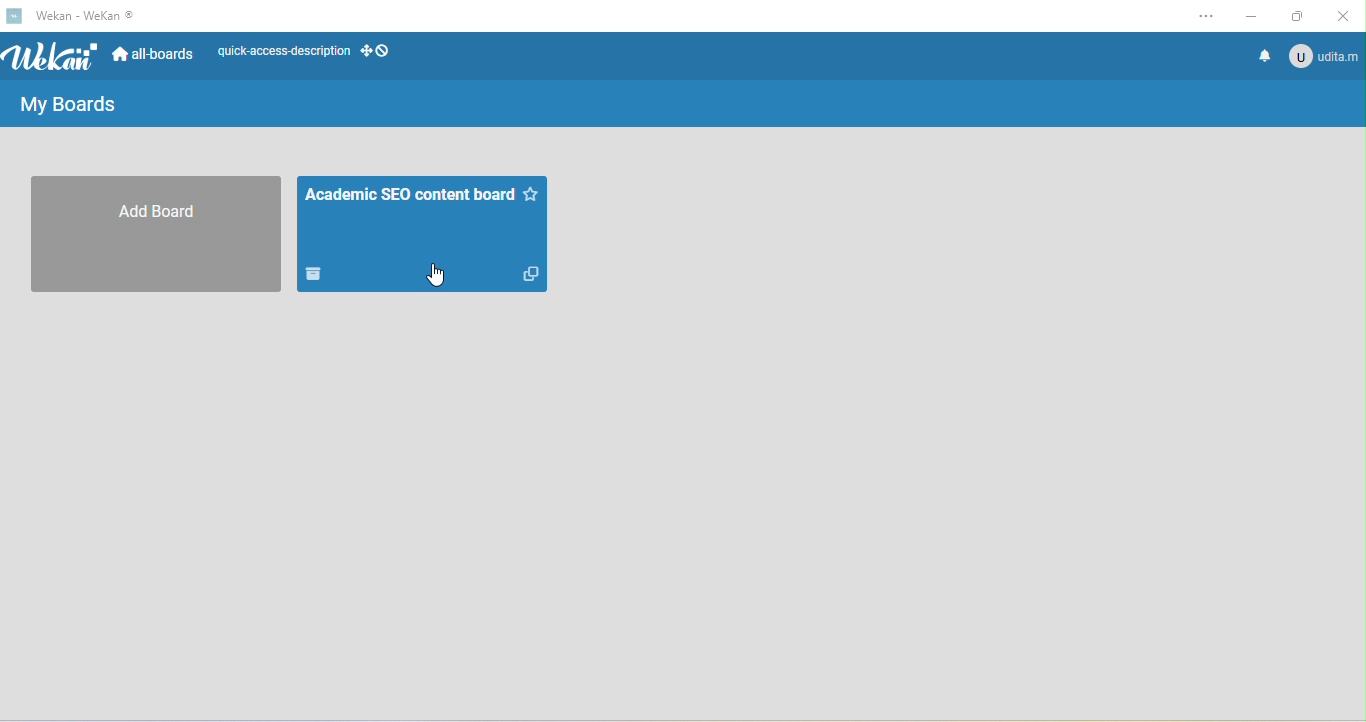 The image size is (1366, 722). What do you see at coordinates (1346, 14) in the screenshot?
I see `close` at bounding box center [1346, 14].